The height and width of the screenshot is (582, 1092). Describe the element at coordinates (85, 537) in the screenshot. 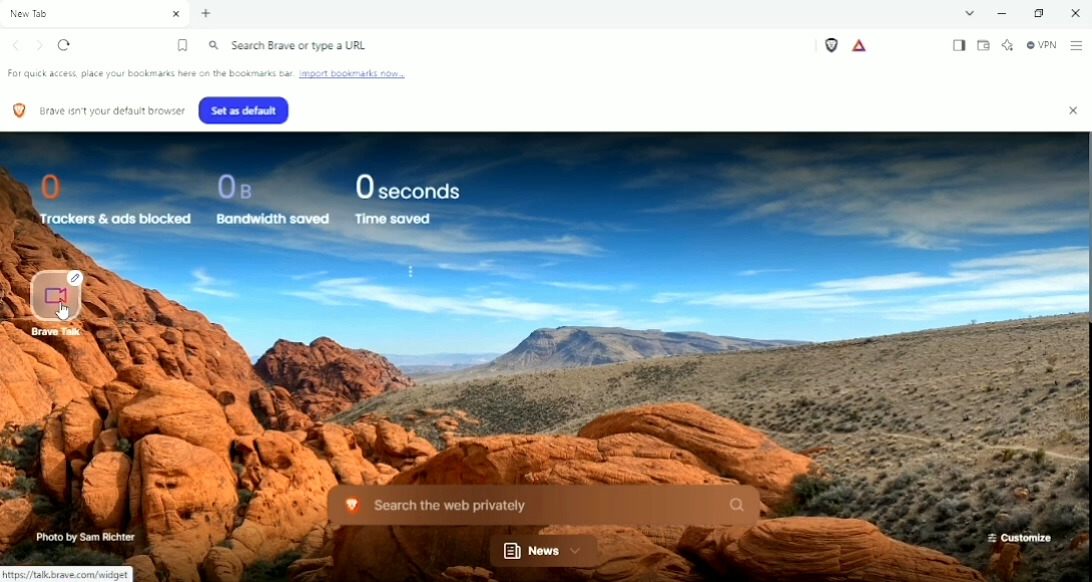

I see `Photo by Sam Richter` at that location.